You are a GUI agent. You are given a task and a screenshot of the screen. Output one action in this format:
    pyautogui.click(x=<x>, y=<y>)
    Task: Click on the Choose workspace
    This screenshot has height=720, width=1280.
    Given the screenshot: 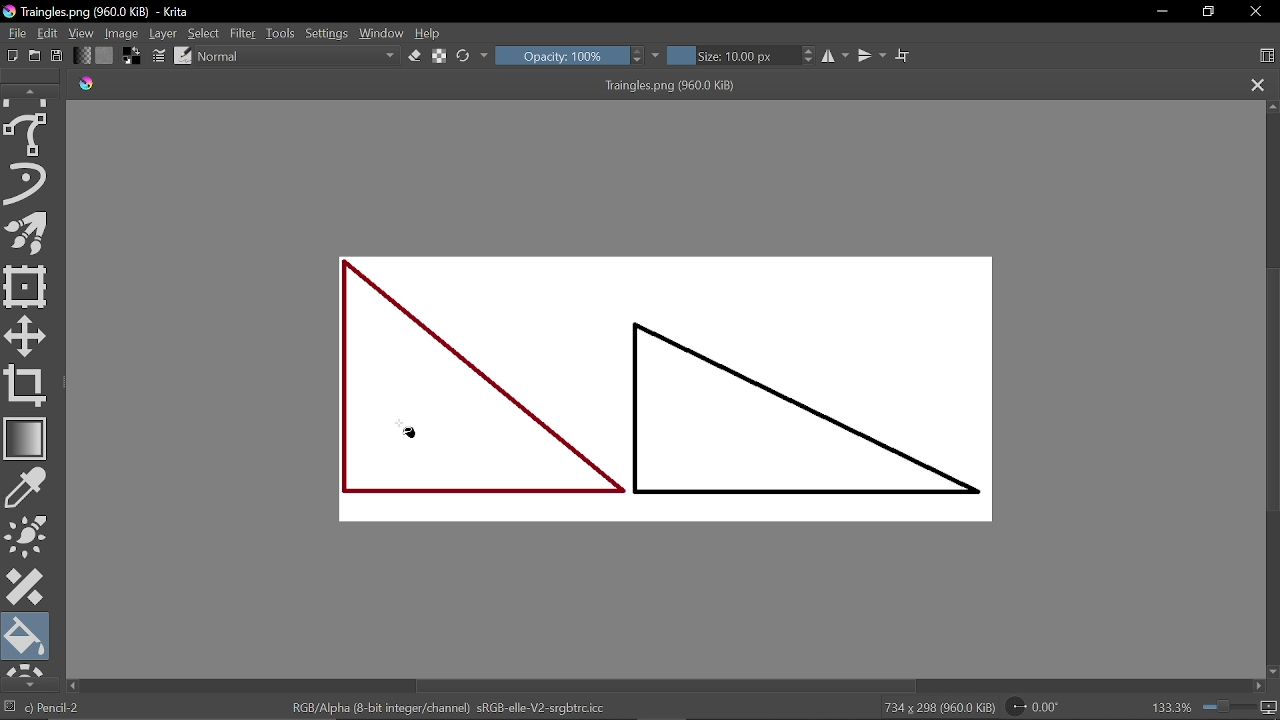 What is the action you would take?
    pyautogui.click(x=1266, y=55)
    